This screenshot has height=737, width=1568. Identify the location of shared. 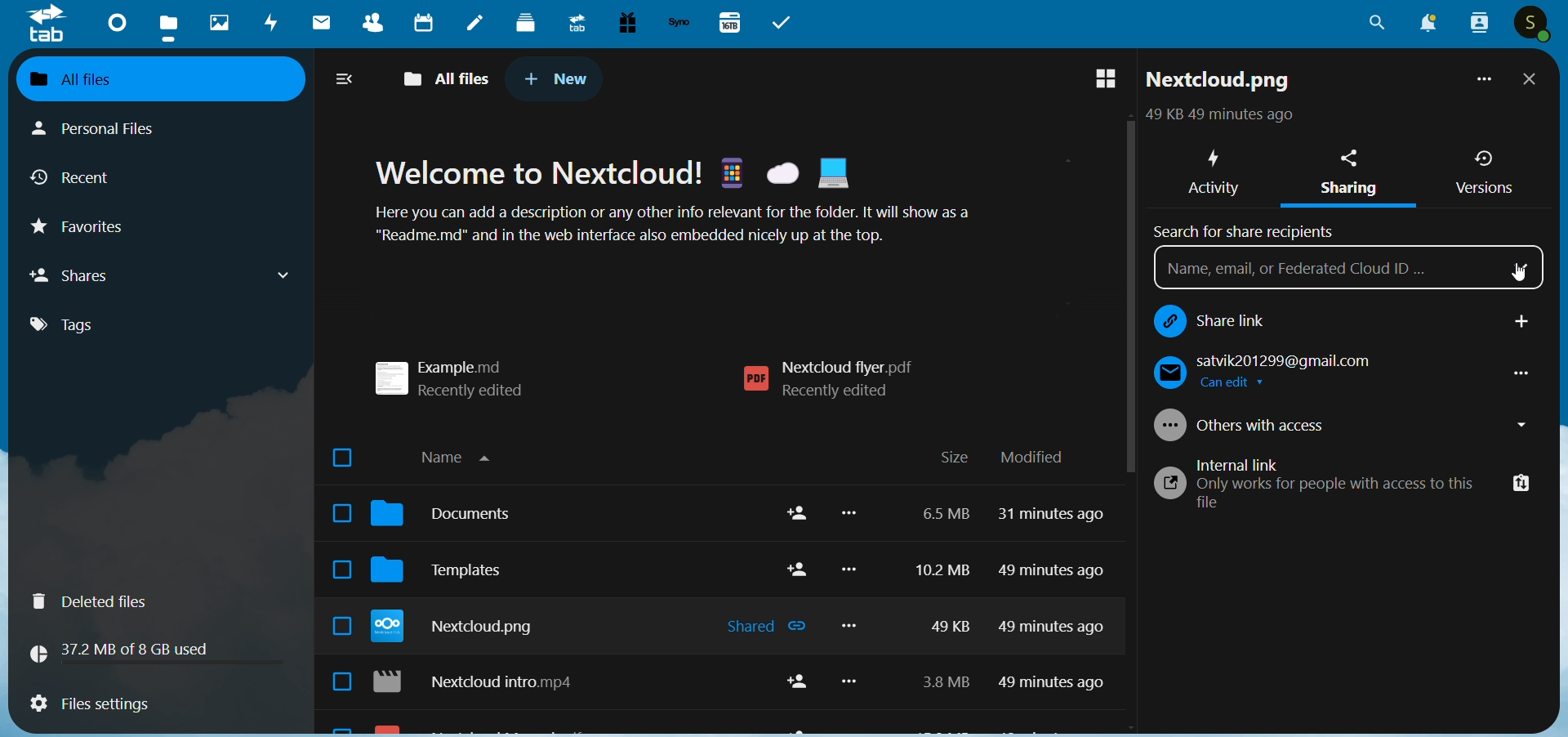
(759, 625).